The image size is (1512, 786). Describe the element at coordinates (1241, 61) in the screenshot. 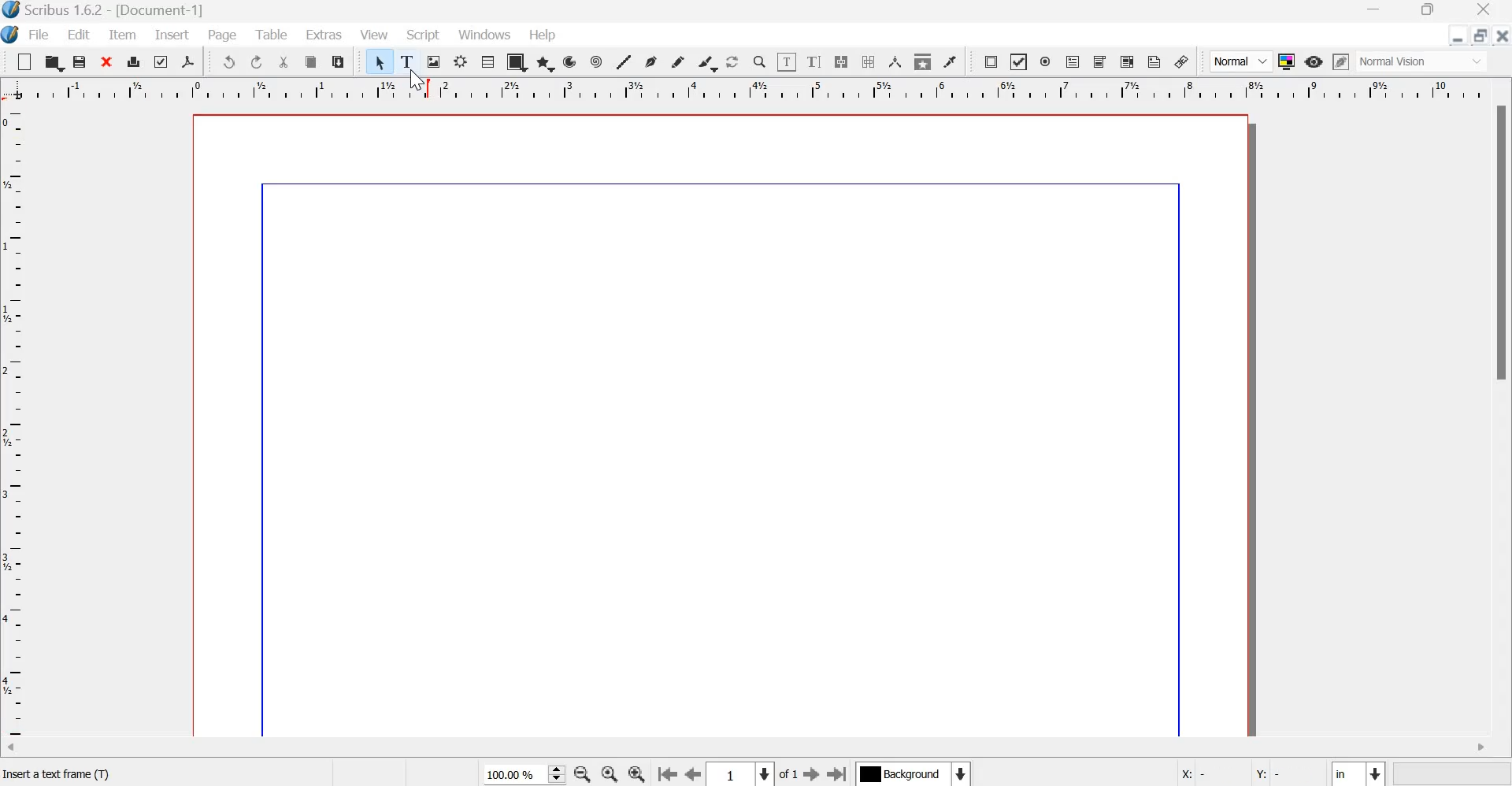

I see `Normal` at that location.